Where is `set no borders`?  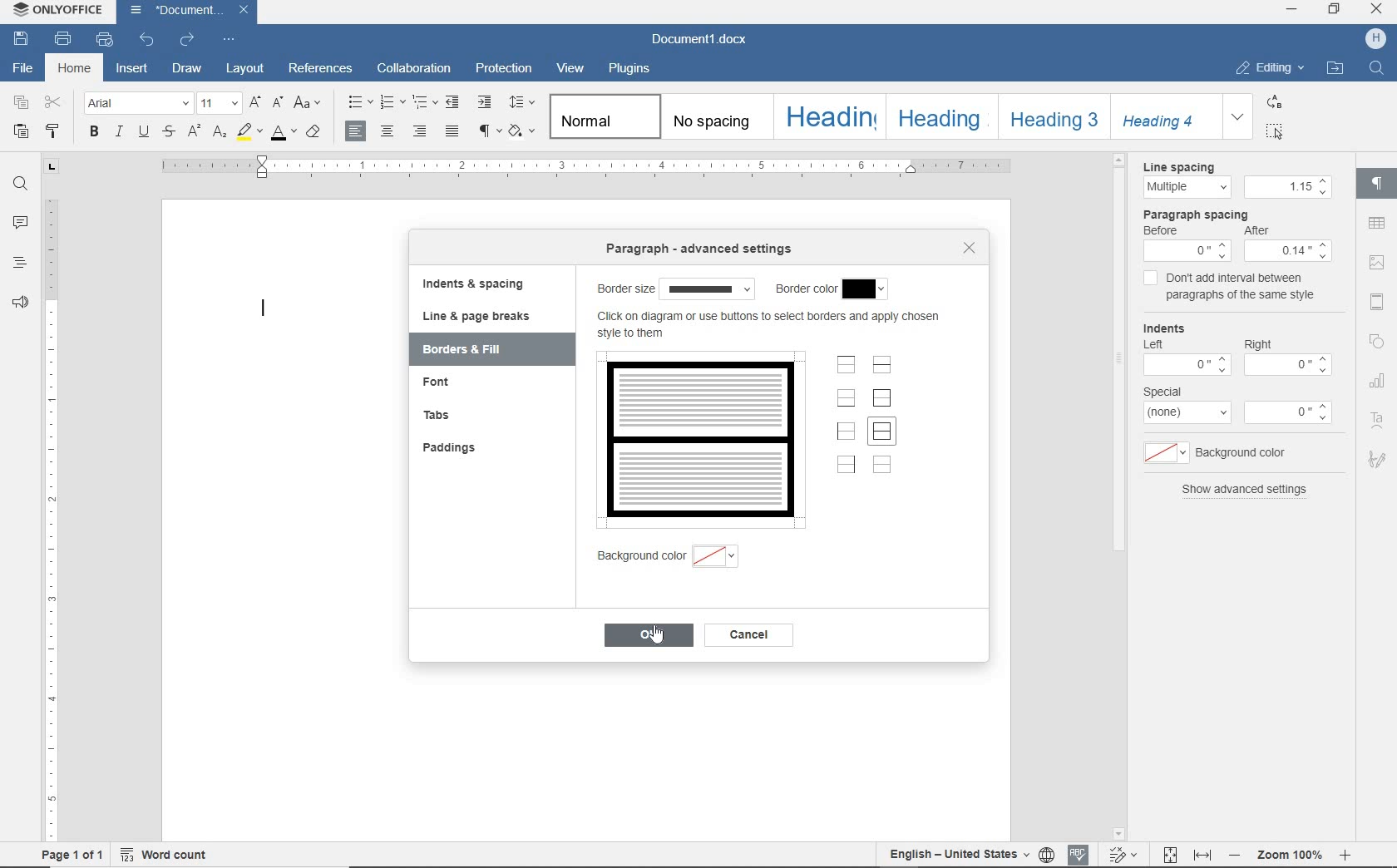 set no borders is located at coordinates (883, 467).